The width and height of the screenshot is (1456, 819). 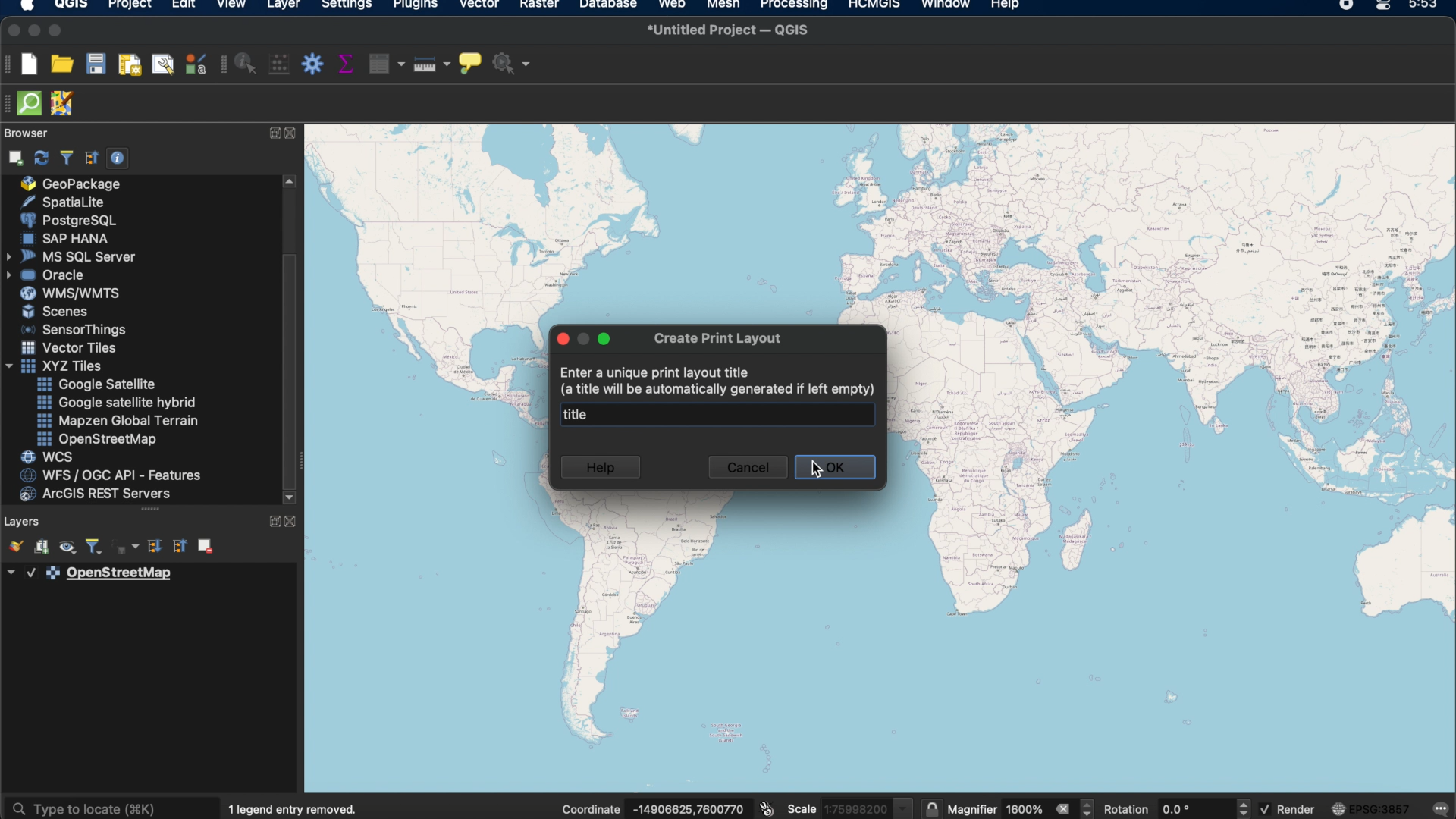 What do you see at coordinates (40, 156) in the screenshot?
I see `refresh` at bounding box center [40, 156].